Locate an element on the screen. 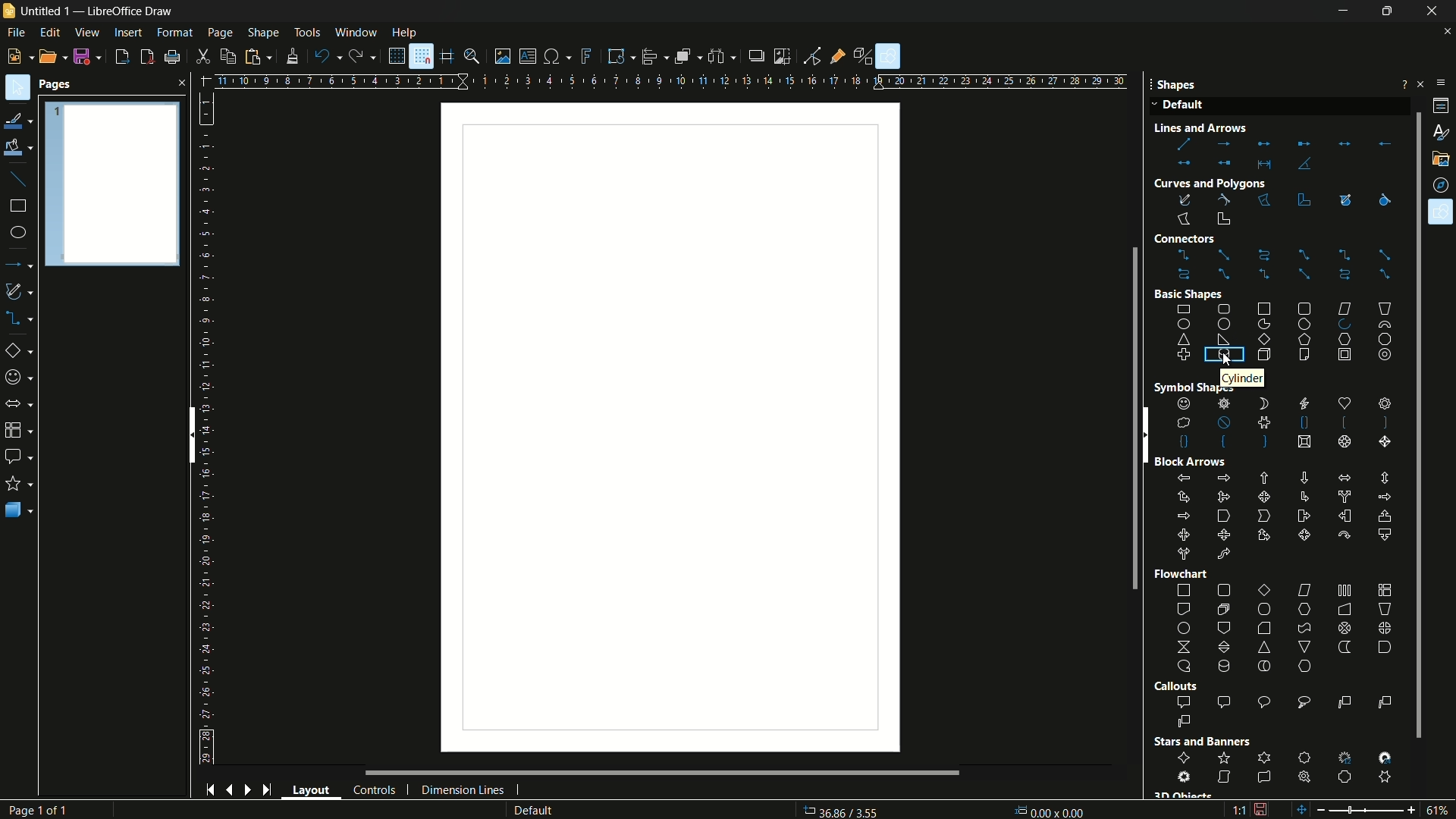  controls is located at coordinates (375, 791).